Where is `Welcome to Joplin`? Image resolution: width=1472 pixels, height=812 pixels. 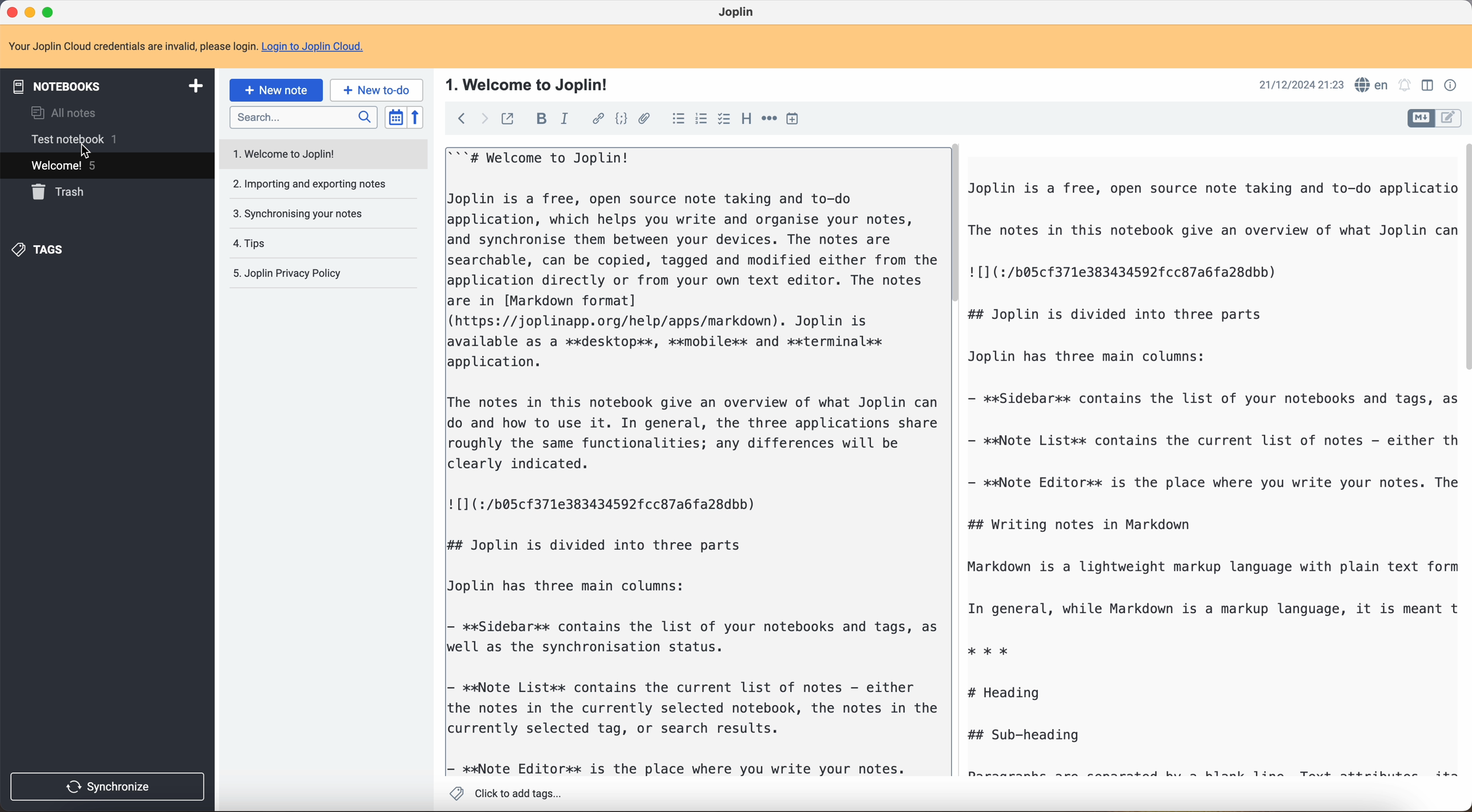
Welcome to Joplin is located at coordinates (543, 83).